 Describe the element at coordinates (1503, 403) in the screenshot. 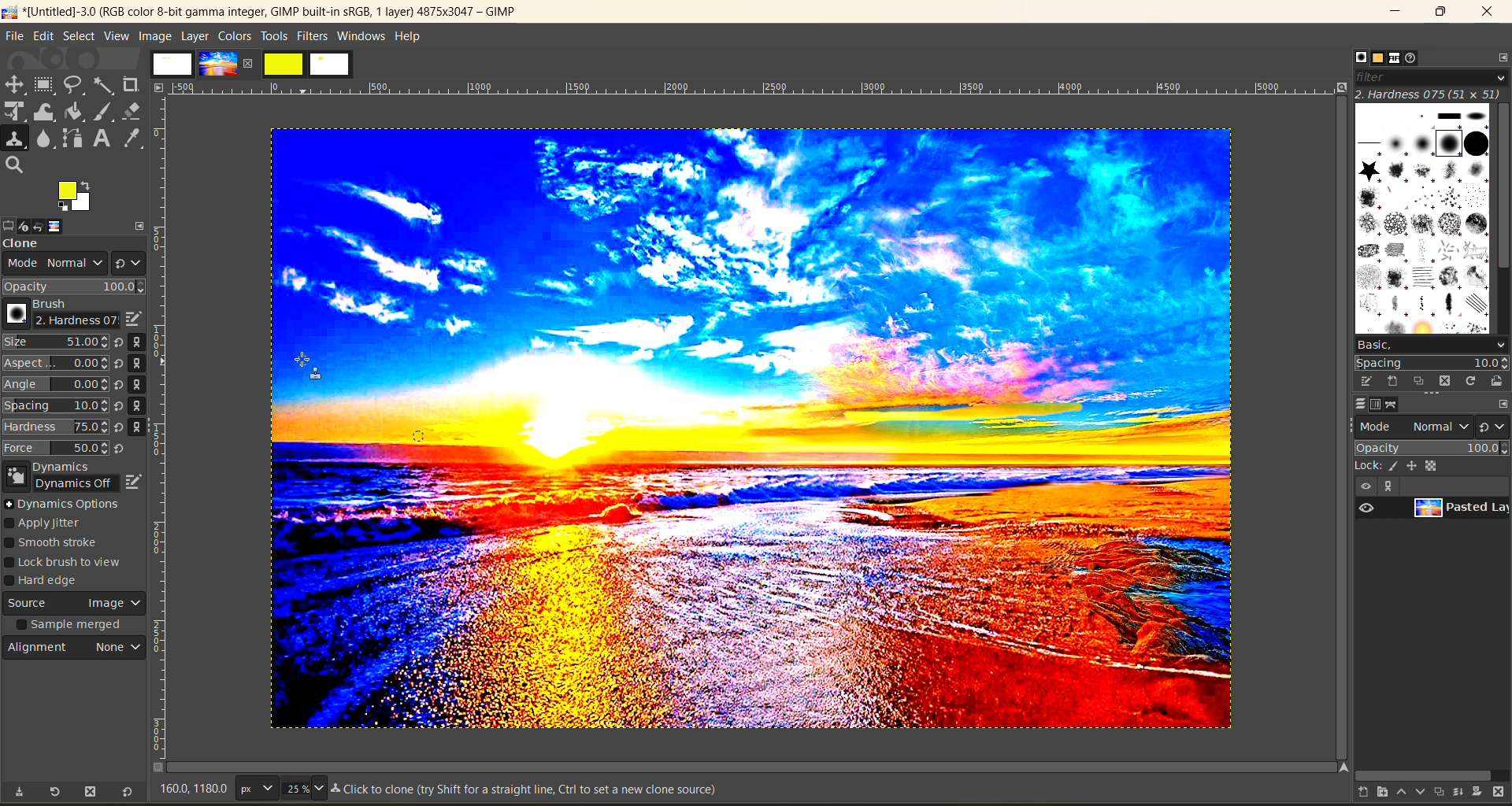

I see `configure` at that location.